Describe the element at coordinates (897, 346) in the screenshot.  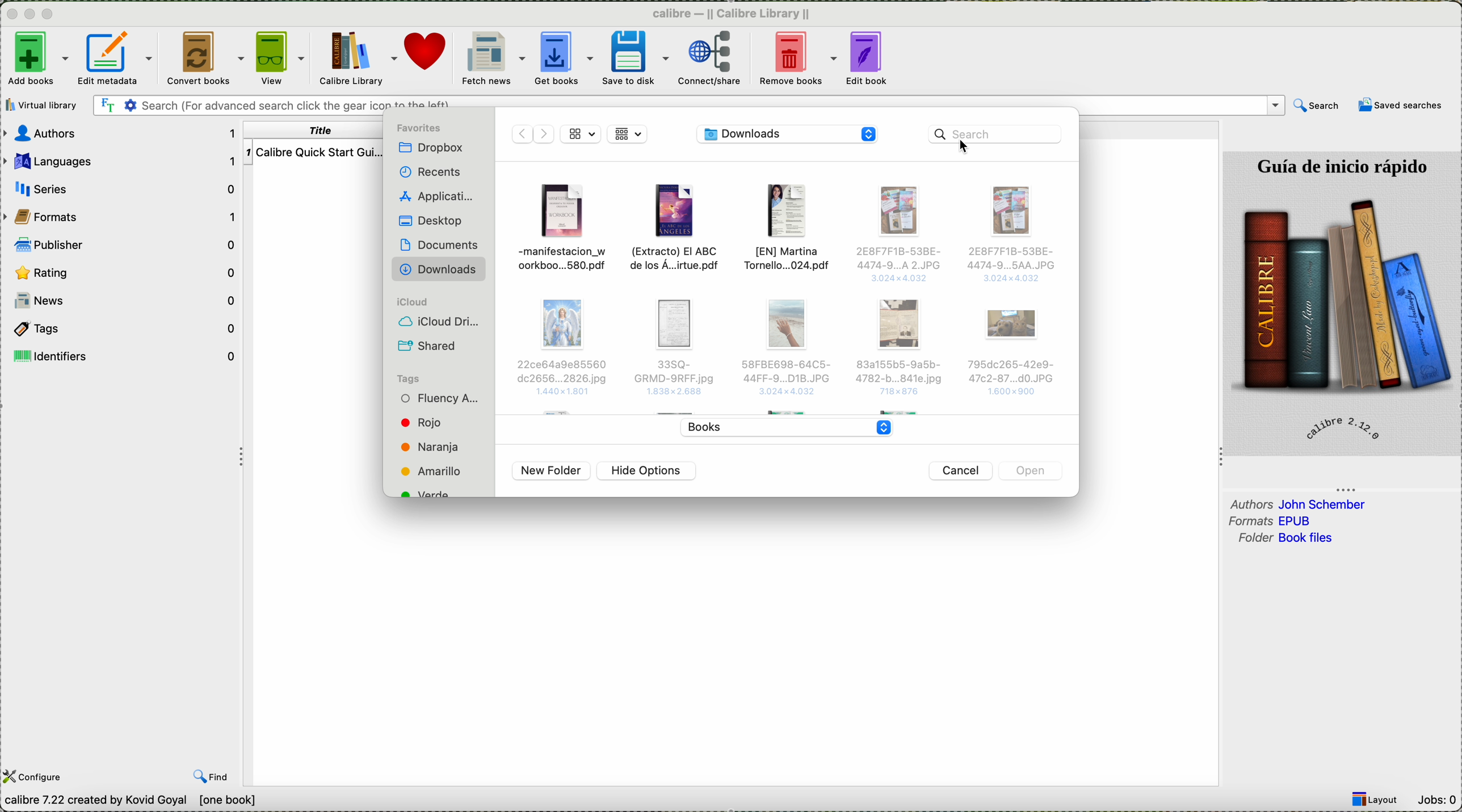
I see `` at that location.